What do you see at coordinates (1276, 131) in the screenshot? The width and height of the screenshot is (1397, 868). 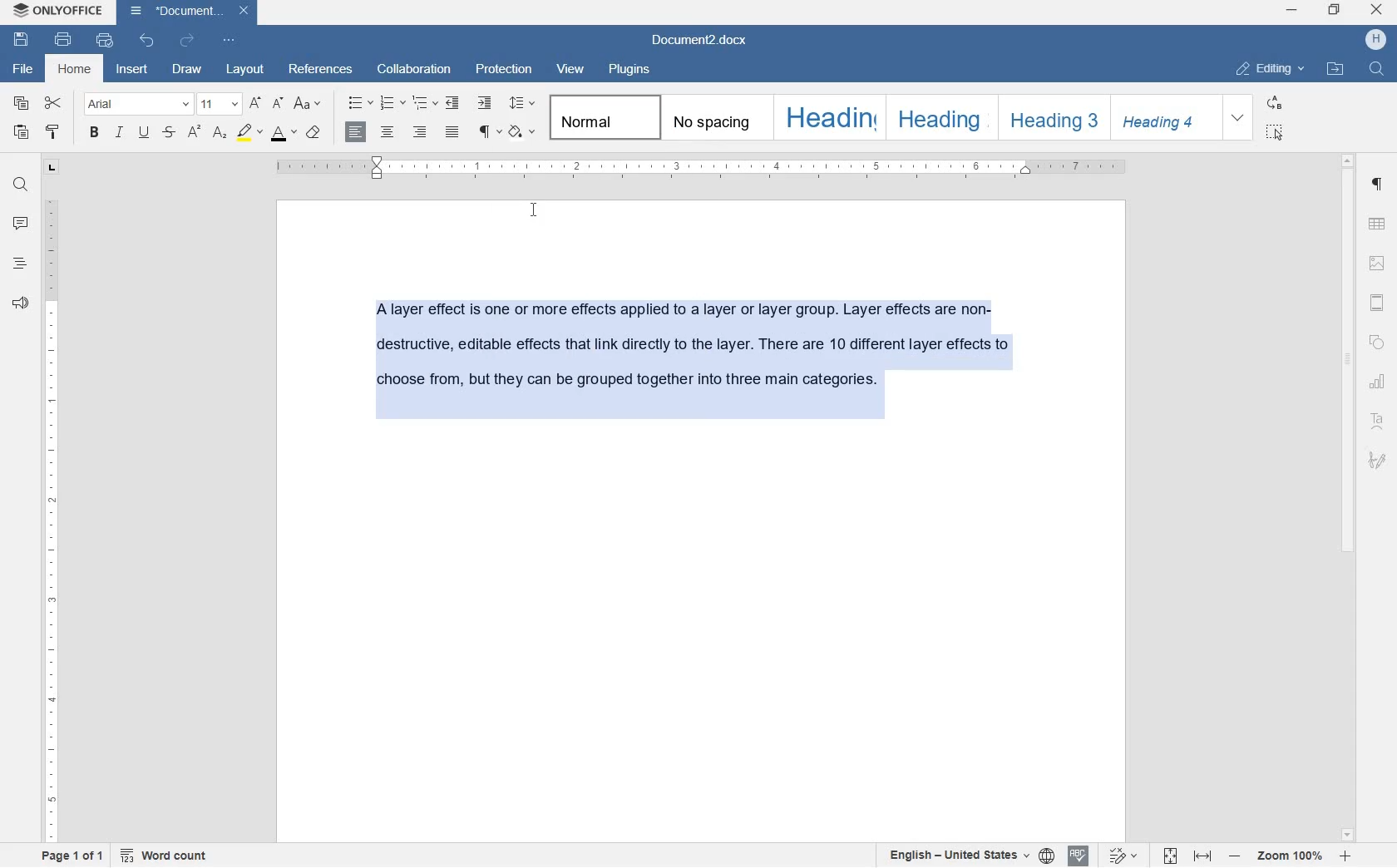 I see `select all ` at bounding box center [1276, 131].